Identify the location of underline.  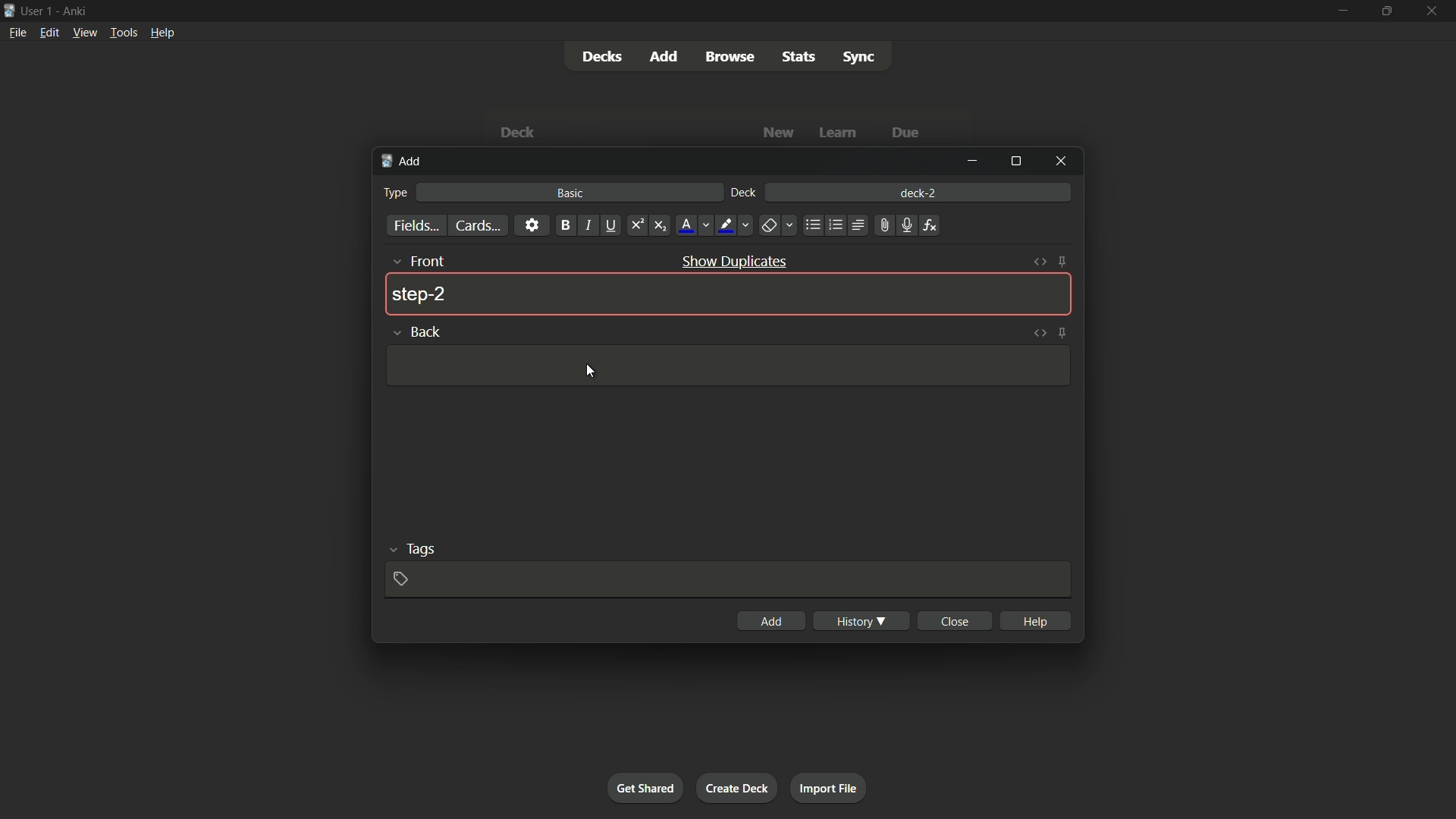
(612, 226).